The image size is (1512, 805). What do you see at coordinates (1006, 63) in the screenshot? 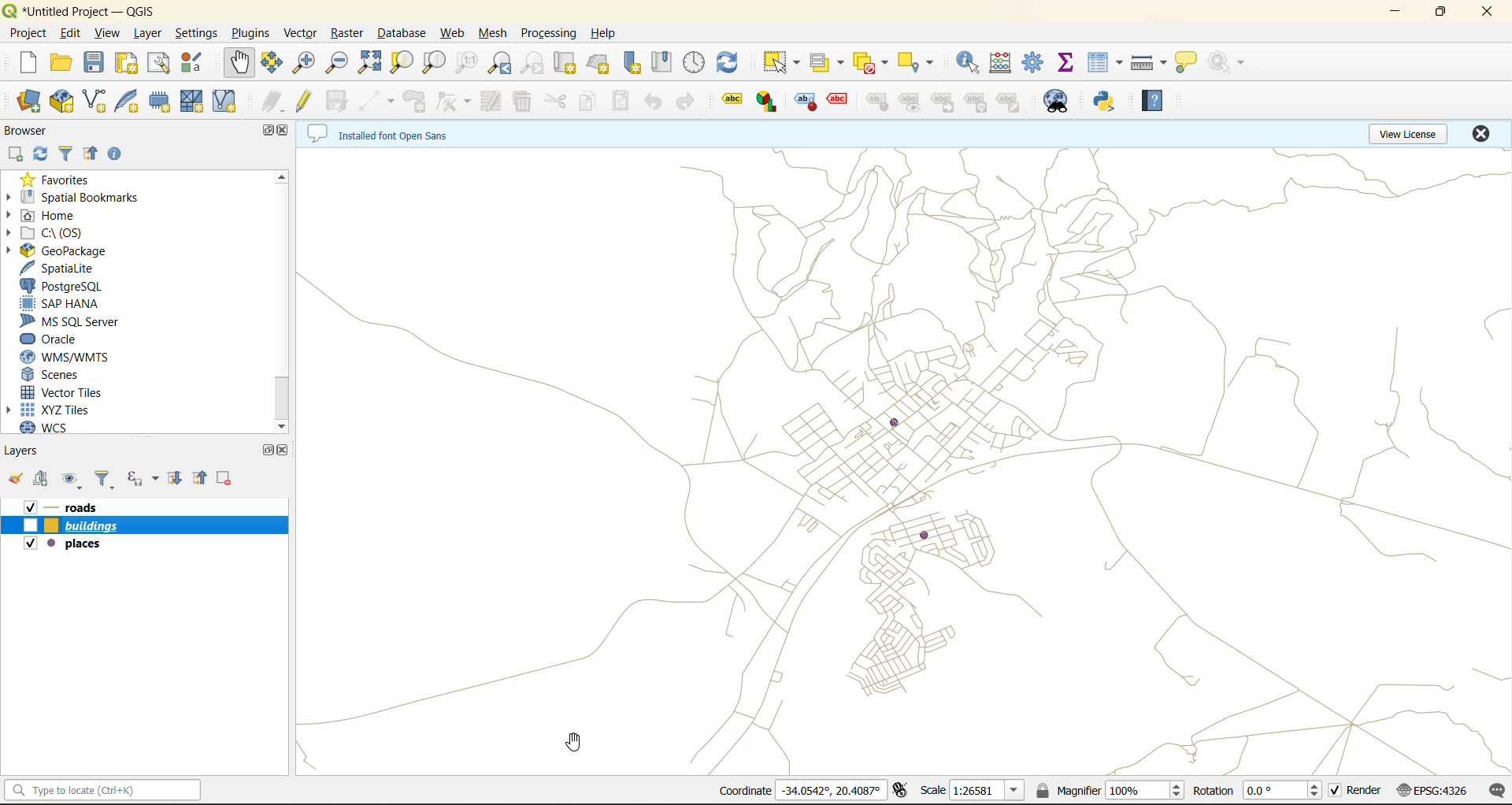
I see `calculator` at bounding box center [1006, 63].